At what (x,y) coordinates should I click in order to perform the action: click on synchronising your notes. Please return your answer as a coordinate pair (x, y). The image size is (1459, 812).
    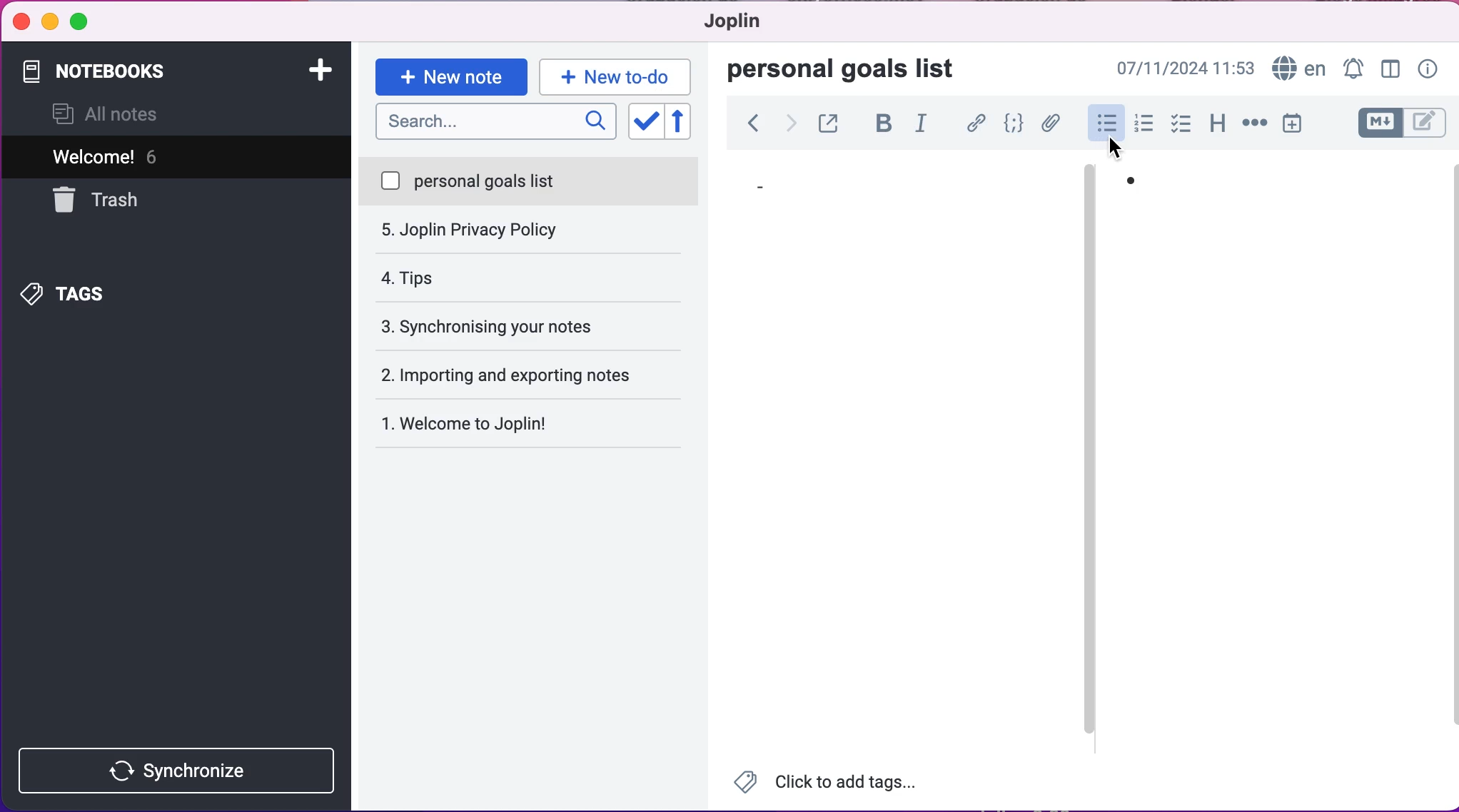
    Looking at the image, I should click on (530, 278).